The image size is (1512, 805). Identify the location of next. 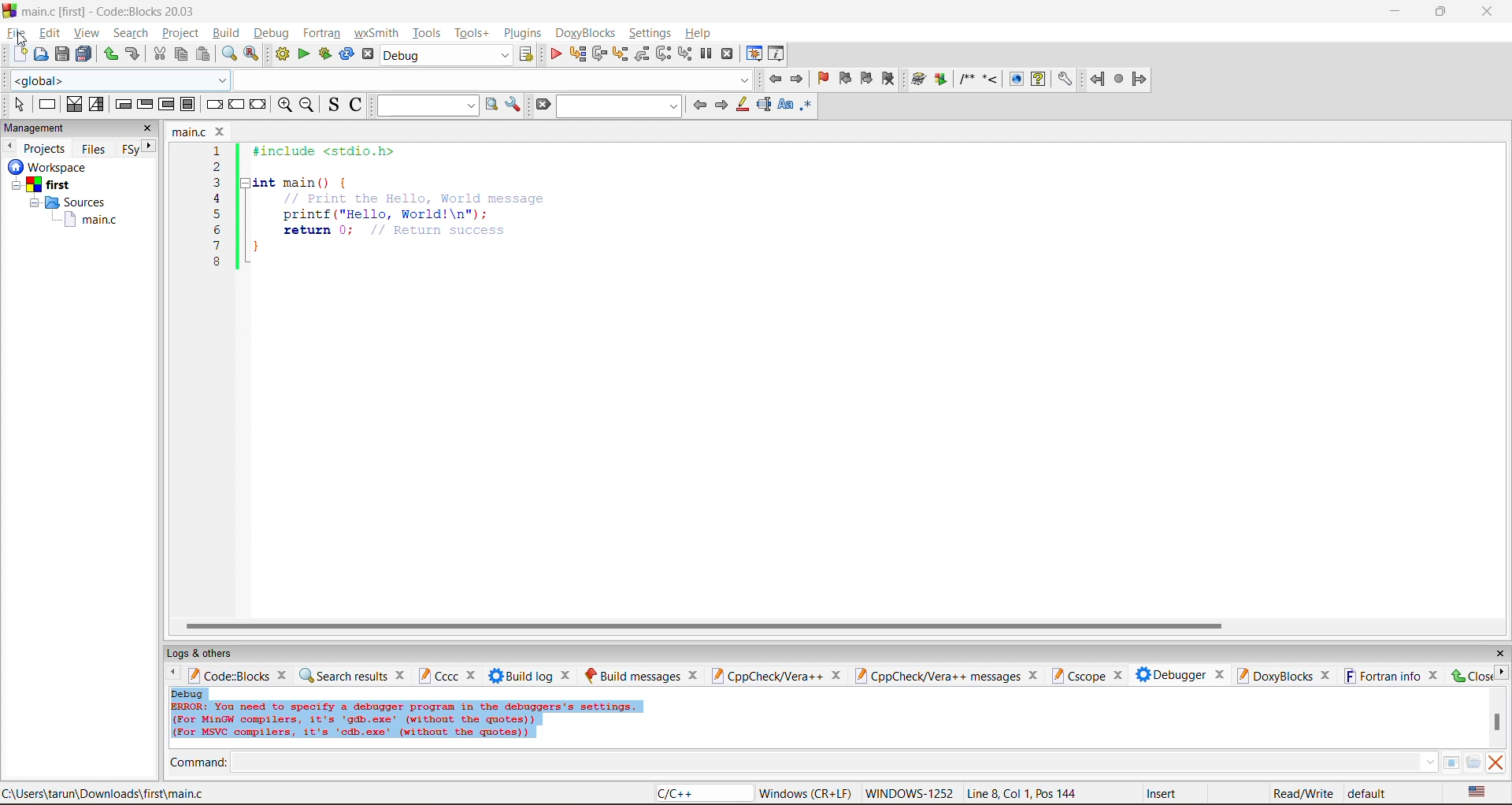
(150, 146).